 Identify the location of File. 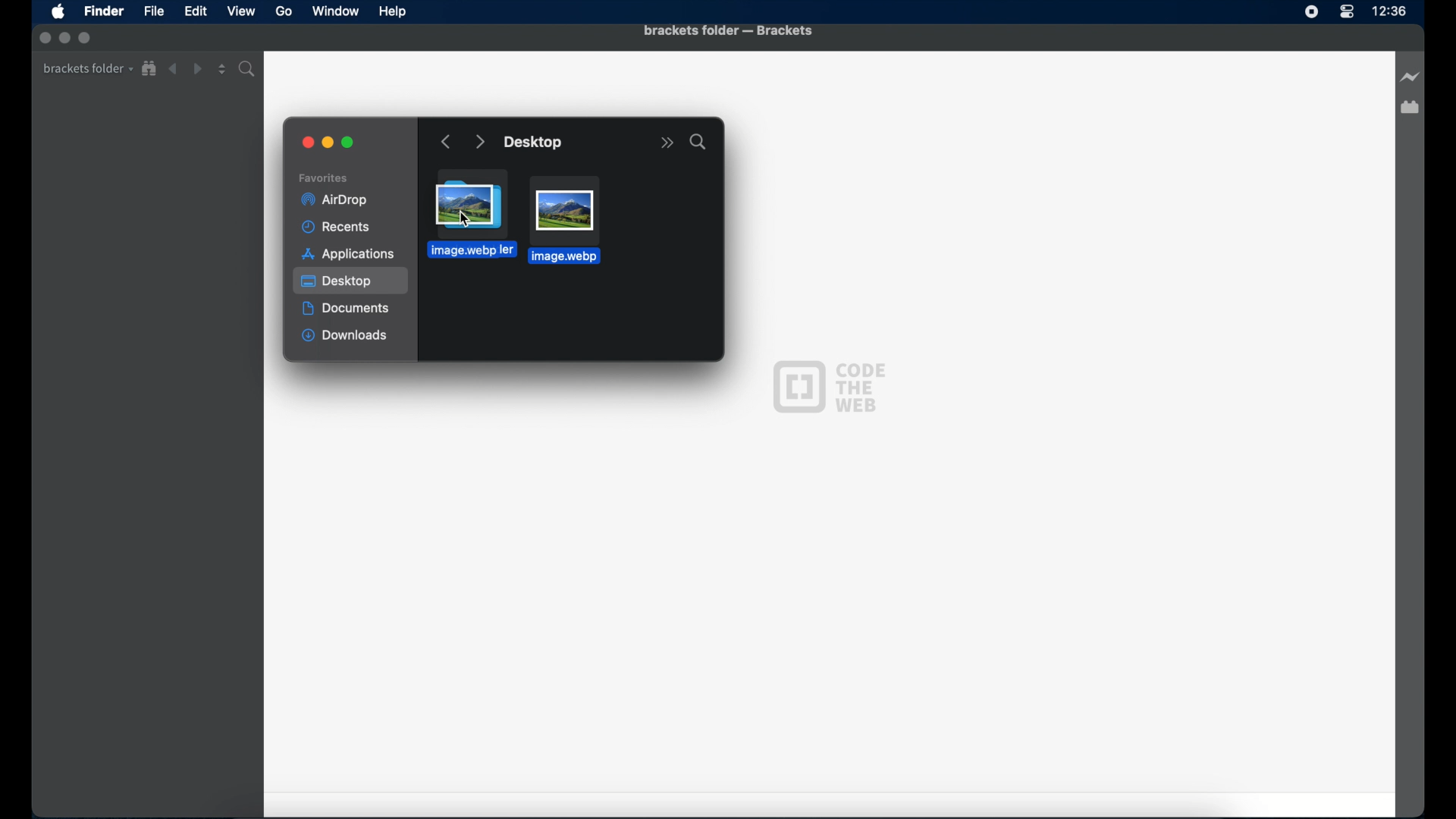
(154, 11).